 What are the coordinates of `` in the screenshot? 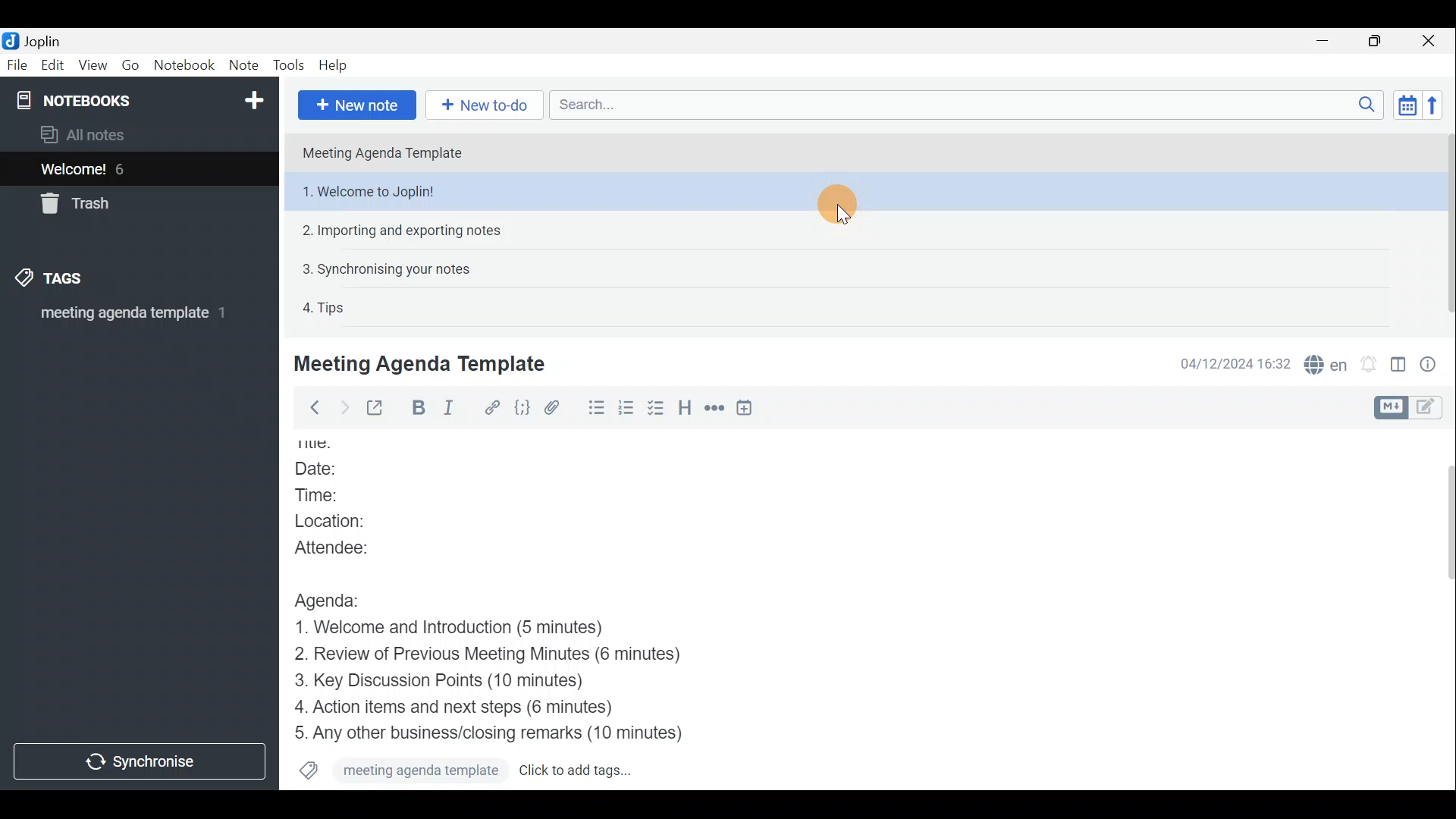 It's located at (325, 444).